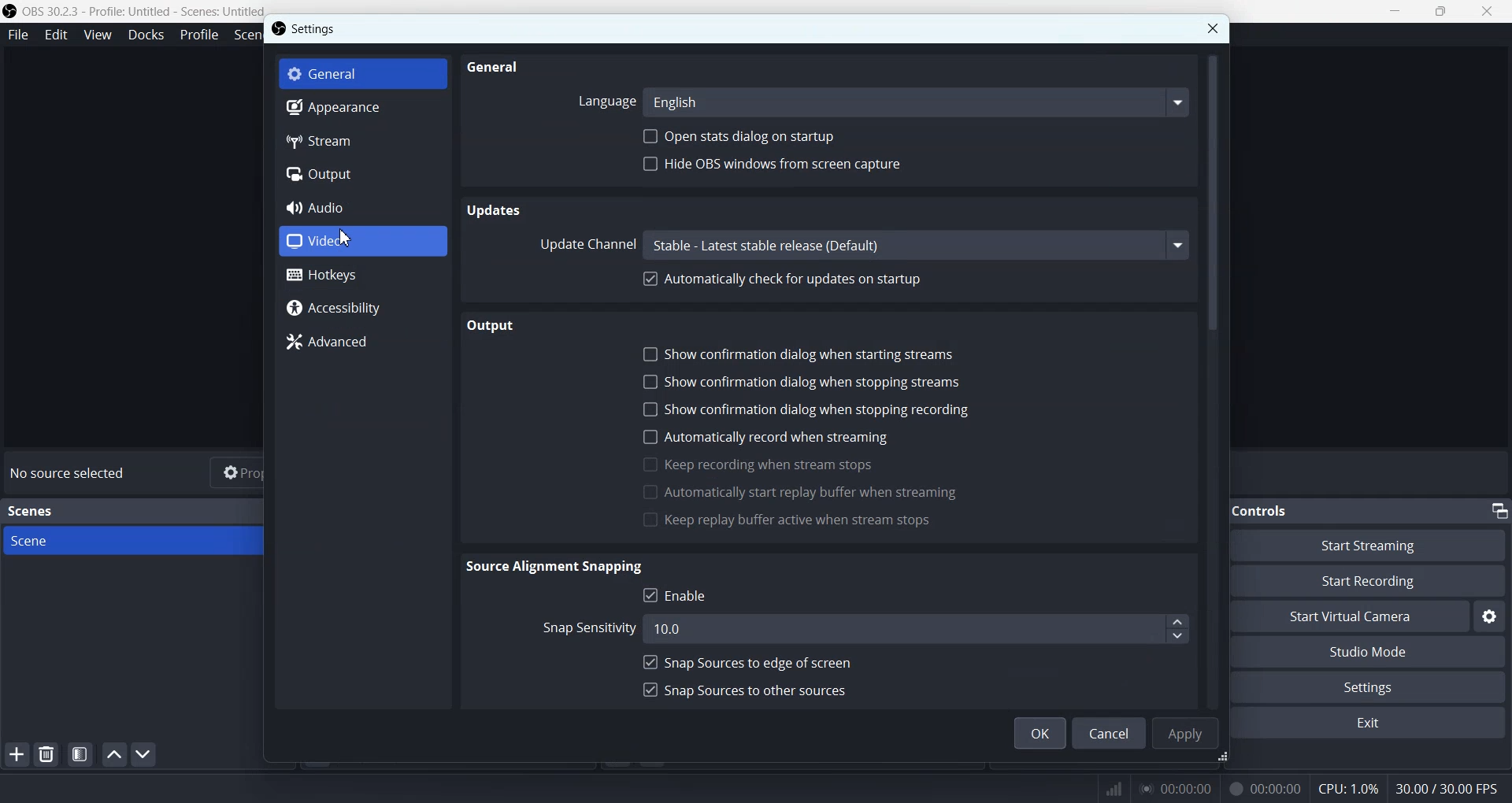 The width and height of the screenshot is (1512, 803). I want to click on Show confirmation dialog when starting streams, so click(812, 353).